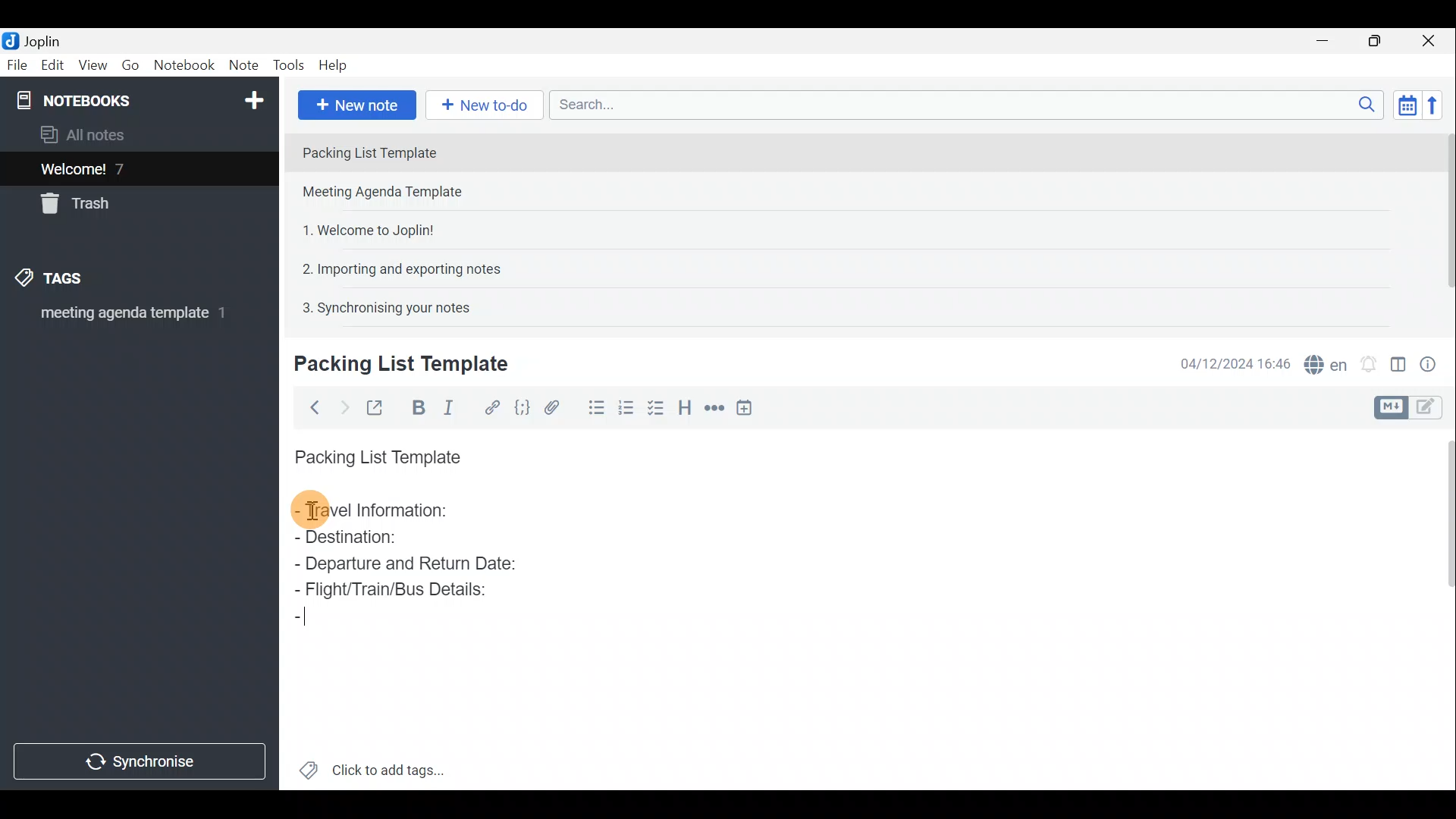 The image size is (1456, 819). I want to click on Code, so click(522, 406).